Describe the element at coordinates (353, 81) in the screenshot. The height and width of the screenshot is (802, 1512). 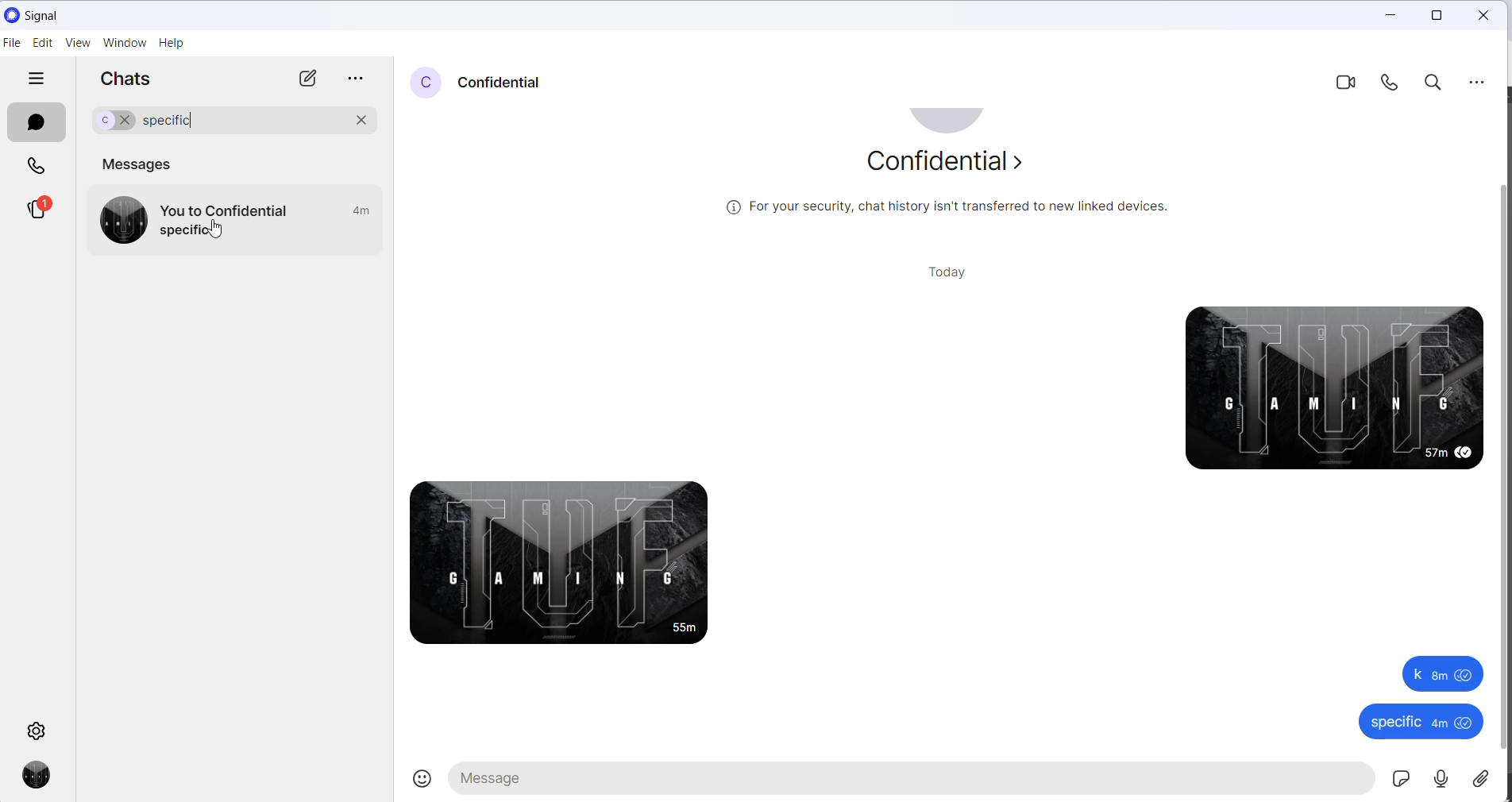
I see `more options` at that location.